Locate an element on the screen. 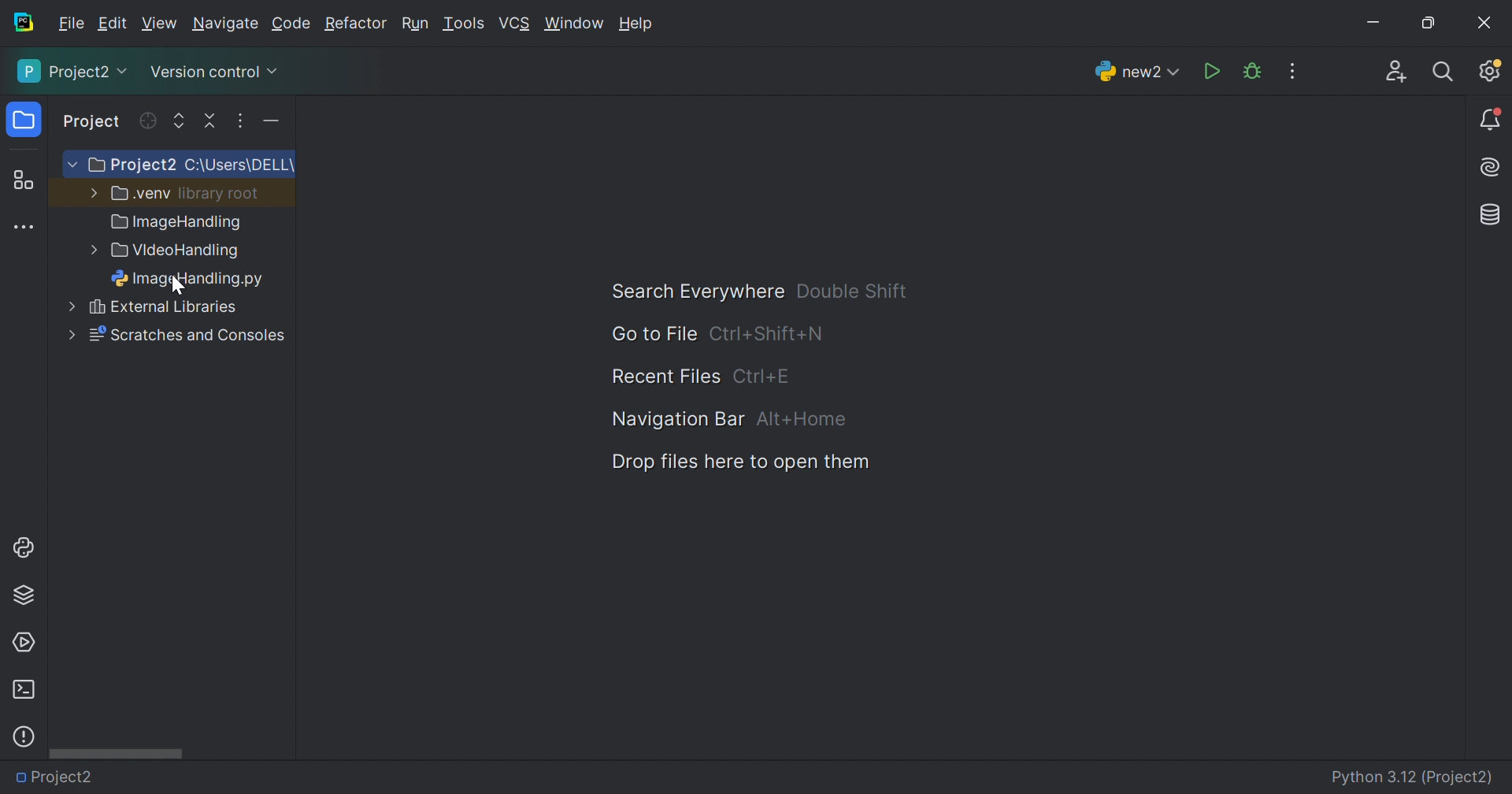 This screenshot has height=794, width=1512. Navigation Bar is located at coordinates (674, 418).